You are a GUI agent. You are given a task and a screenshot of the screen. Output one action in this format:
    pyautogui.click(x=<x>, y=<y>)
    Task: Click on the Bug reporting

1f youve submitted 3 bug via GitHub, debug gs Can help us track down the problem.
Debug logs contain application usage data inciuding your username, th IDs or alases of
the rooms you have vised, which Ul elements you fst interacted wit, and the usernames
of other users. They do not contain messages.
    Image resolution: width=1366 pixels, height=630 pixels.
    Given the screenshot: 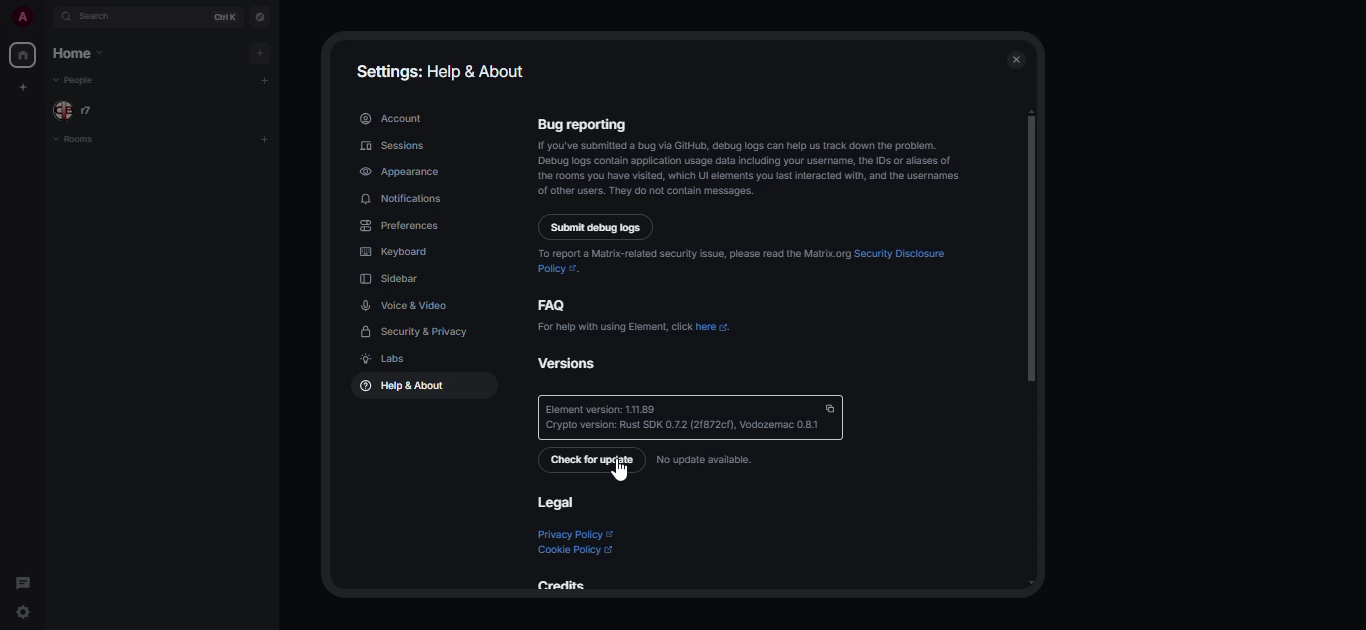 What is the action you would take?
    pyautogui.click(x=747, y=160)
    